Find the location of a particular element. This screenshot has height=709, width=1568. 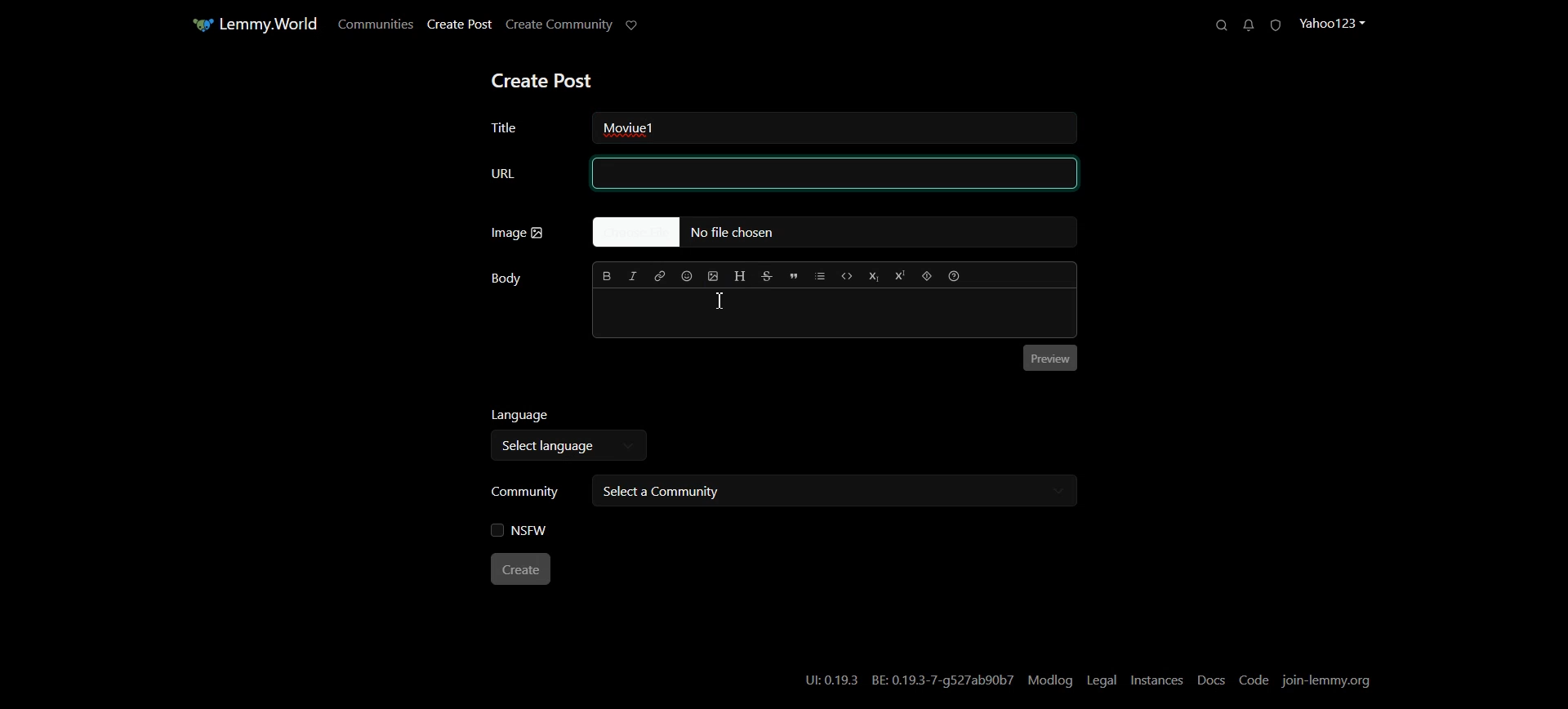

Create Post is located at coordinates (458, 25).